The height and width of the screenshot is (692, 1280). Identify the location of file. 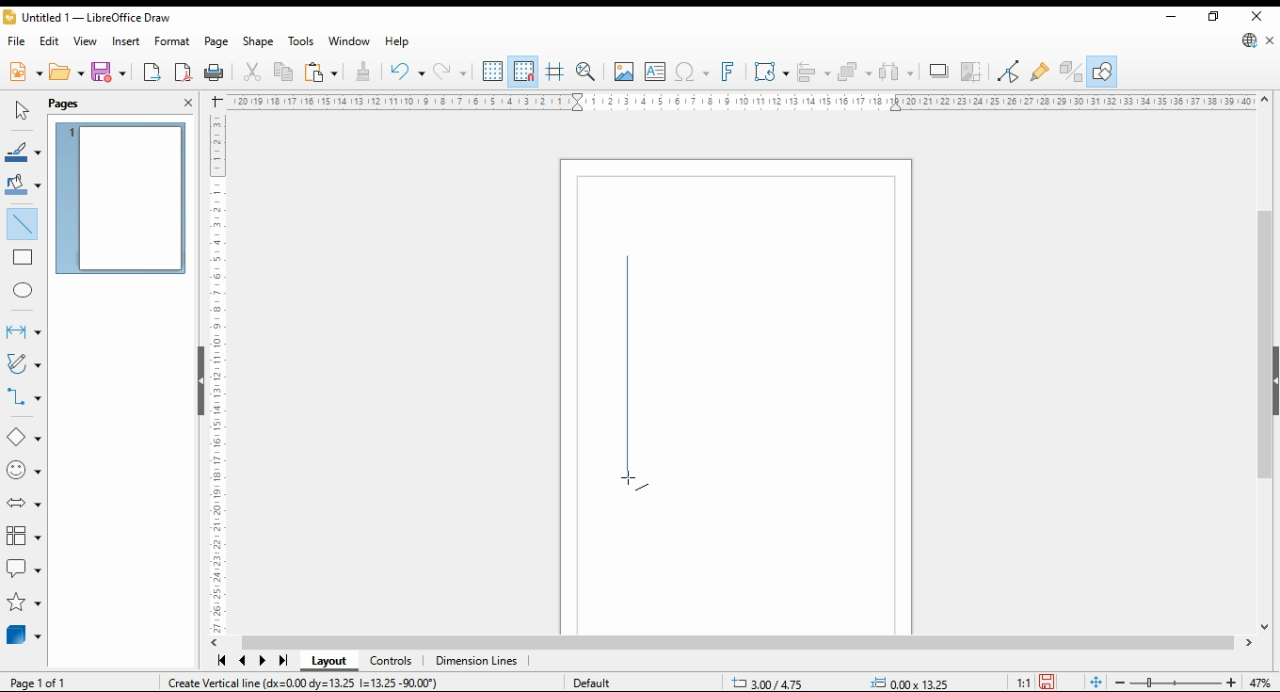
(18, 41).